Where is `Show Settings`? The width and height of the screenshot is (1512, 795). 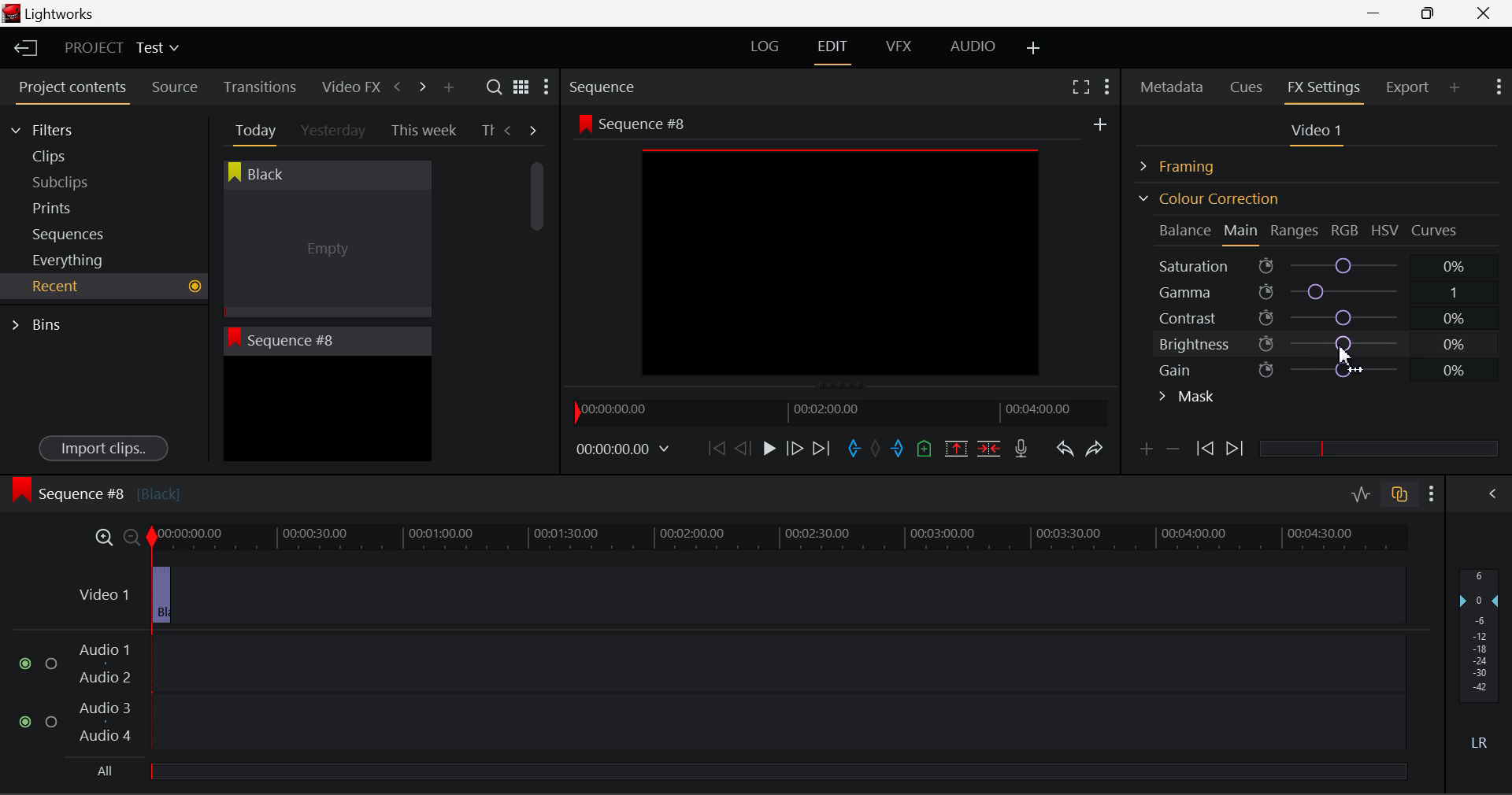
Show Settings is located at coordinates (1106, 84).